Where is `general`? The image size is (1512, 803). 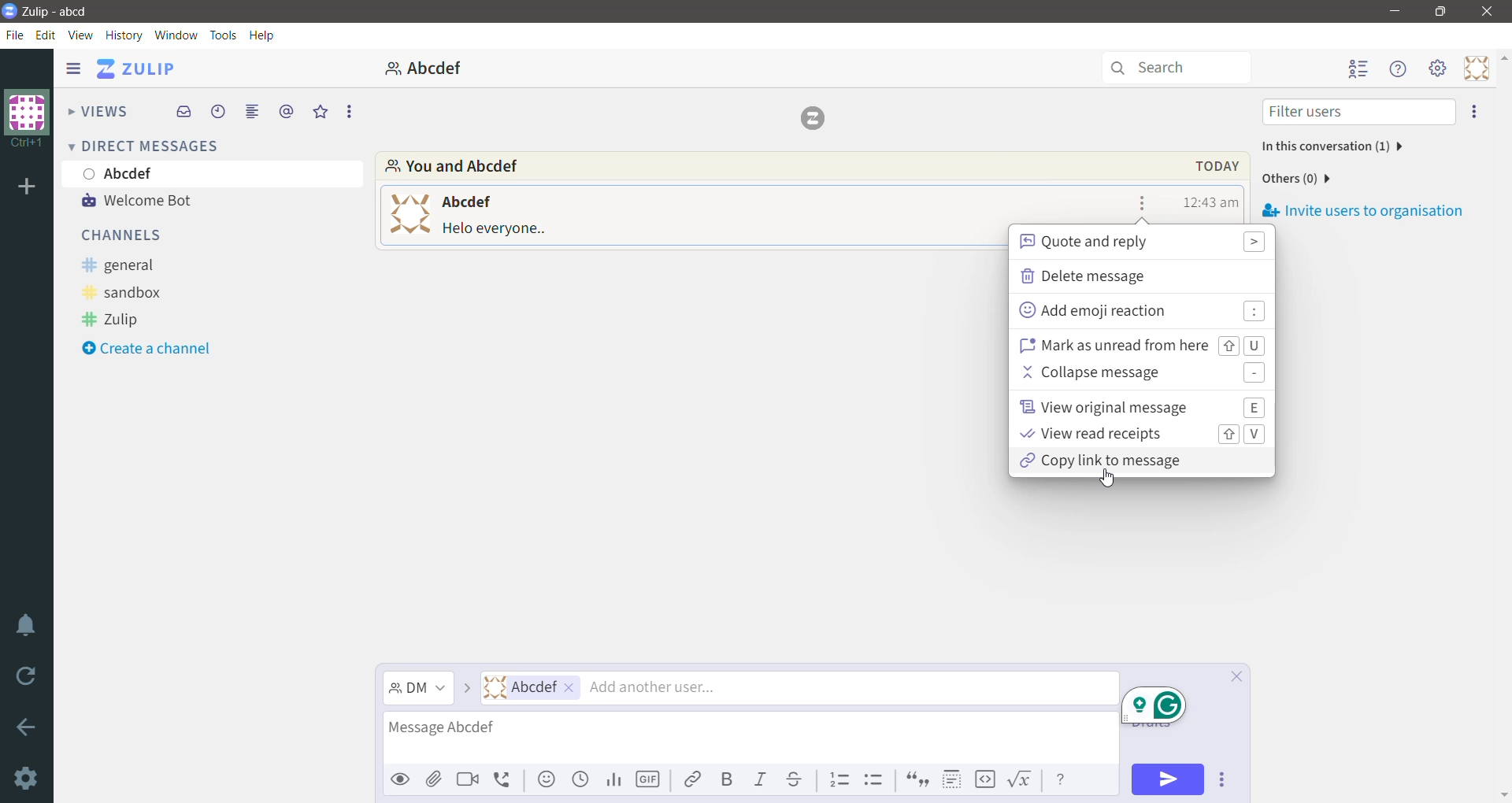
general is located at coordinates (130, 264).